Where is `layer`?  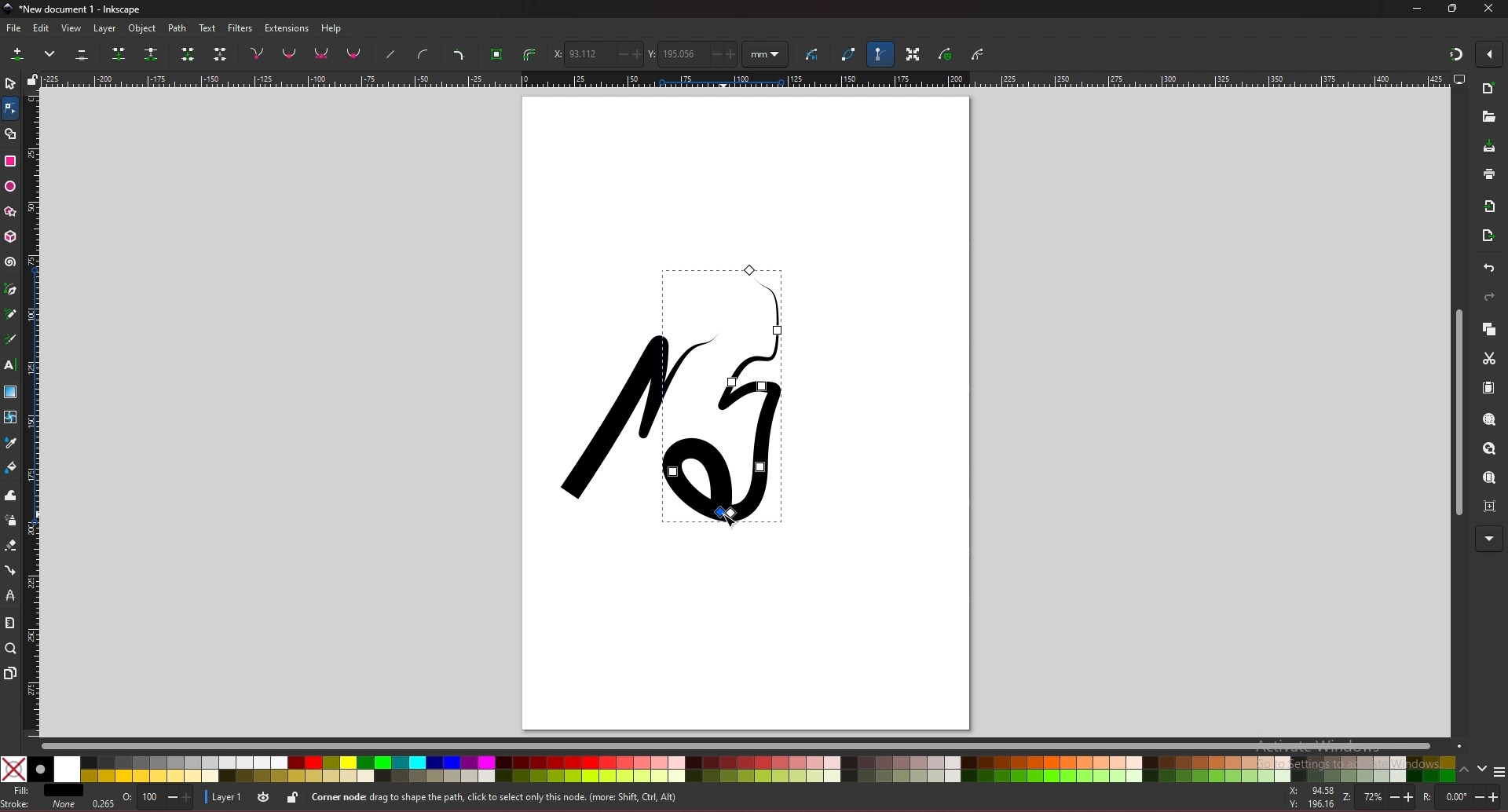
layer is located at coordinates (225, 797).